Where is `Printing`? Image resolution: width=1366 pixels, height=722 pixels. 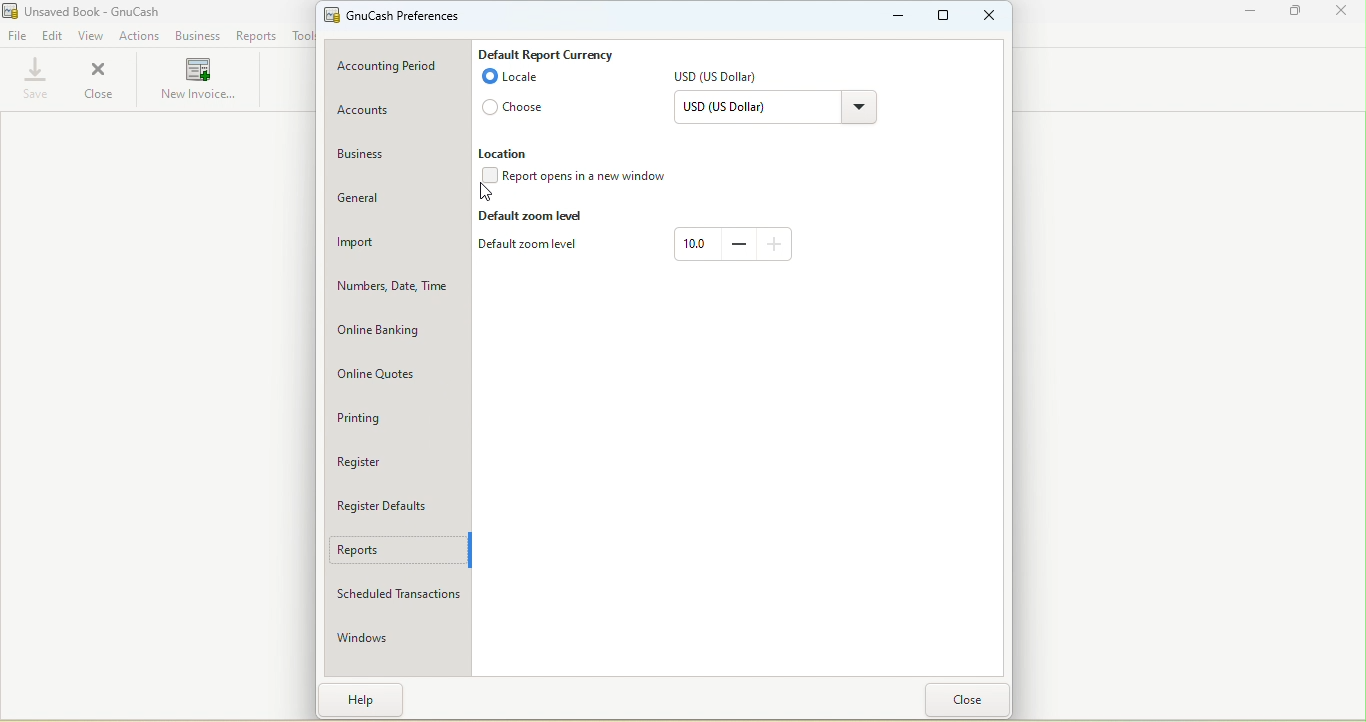 Printing is located at coordinates (396, 420).